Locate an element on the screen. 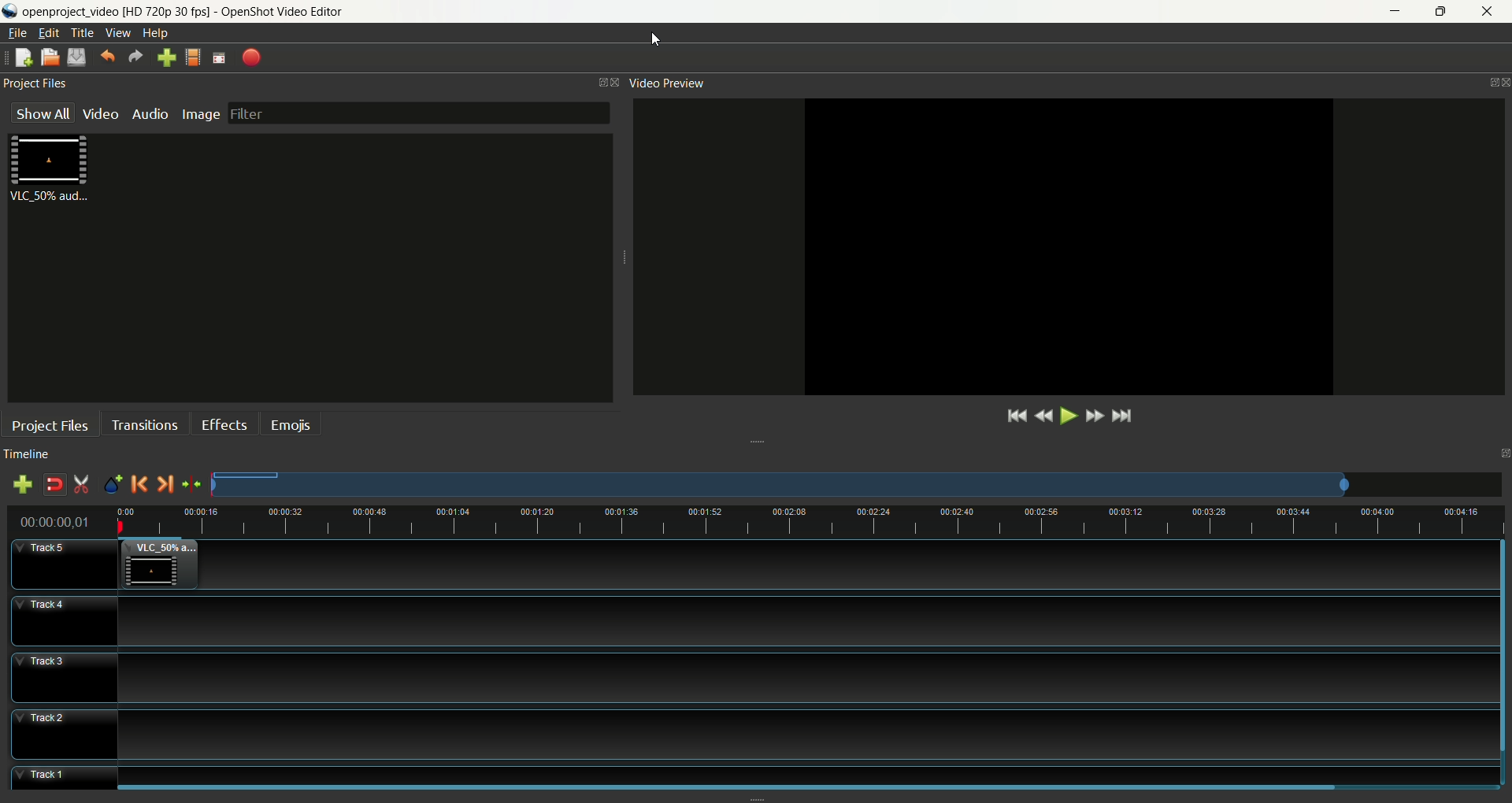  fast forward is located at coordinates (1093, 415).